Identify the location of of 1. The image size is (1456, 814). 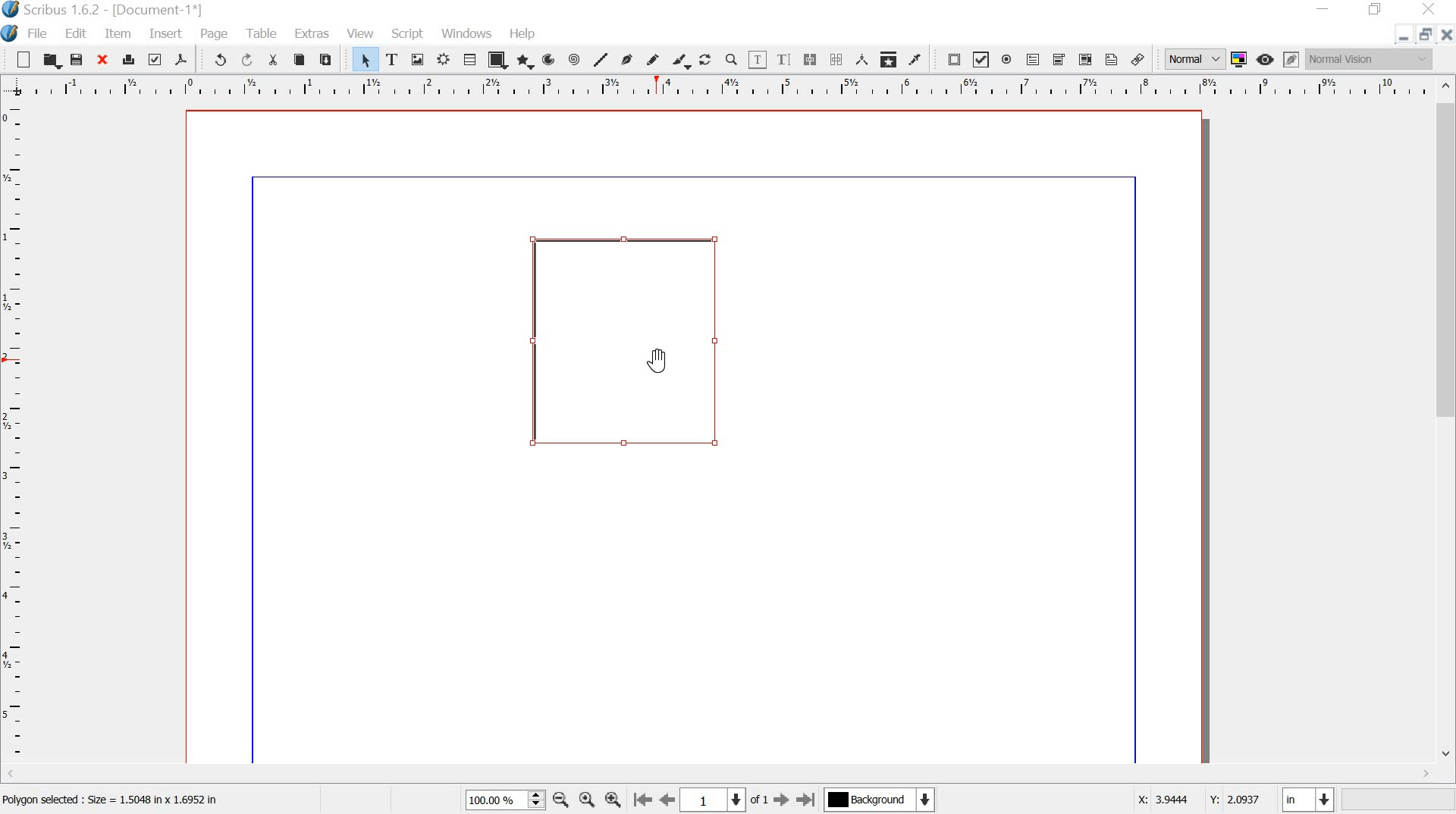
(760, 803).